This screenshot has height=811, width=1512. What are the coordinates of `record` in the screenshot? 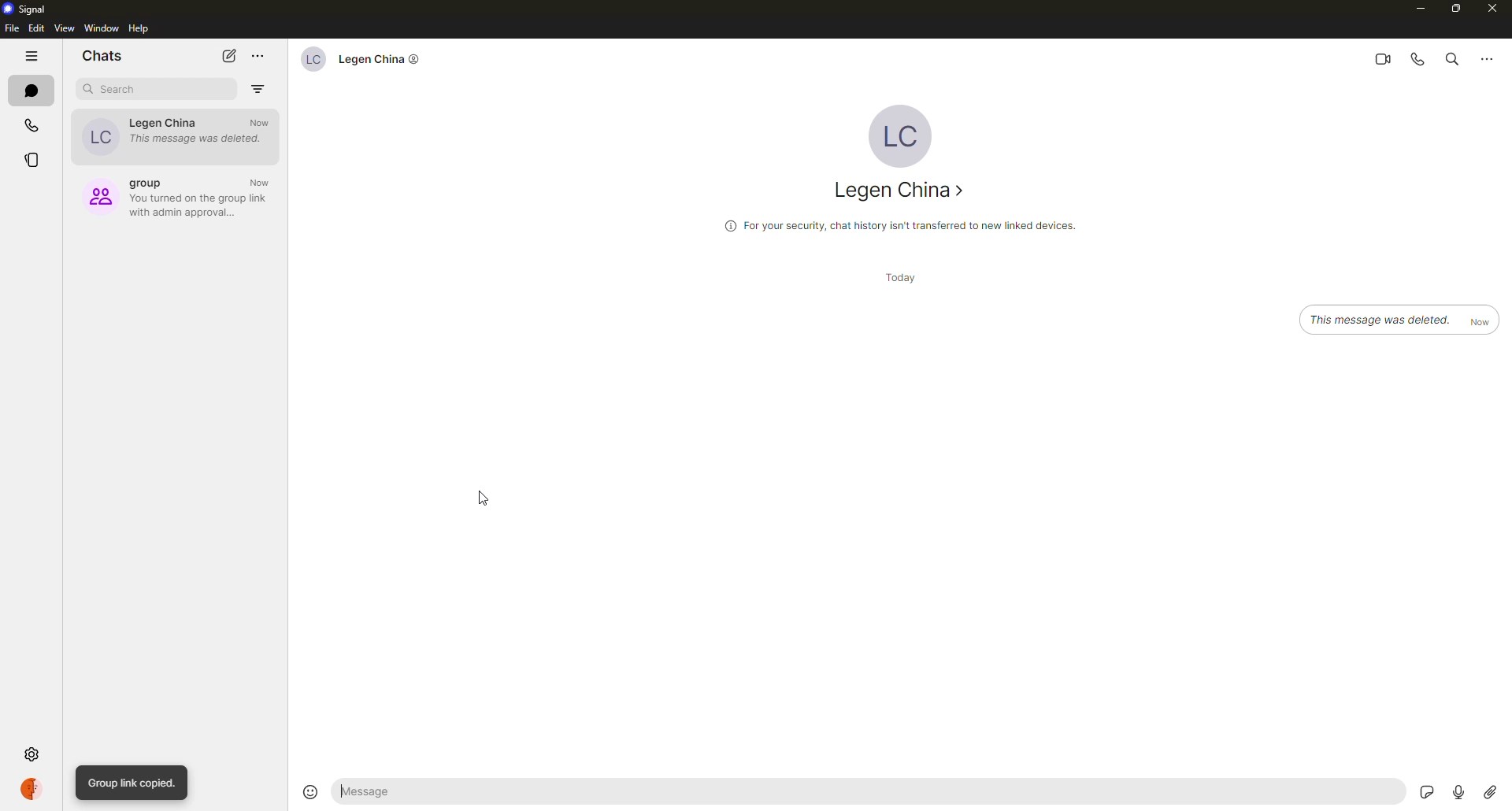 It's located at (1461, 791).